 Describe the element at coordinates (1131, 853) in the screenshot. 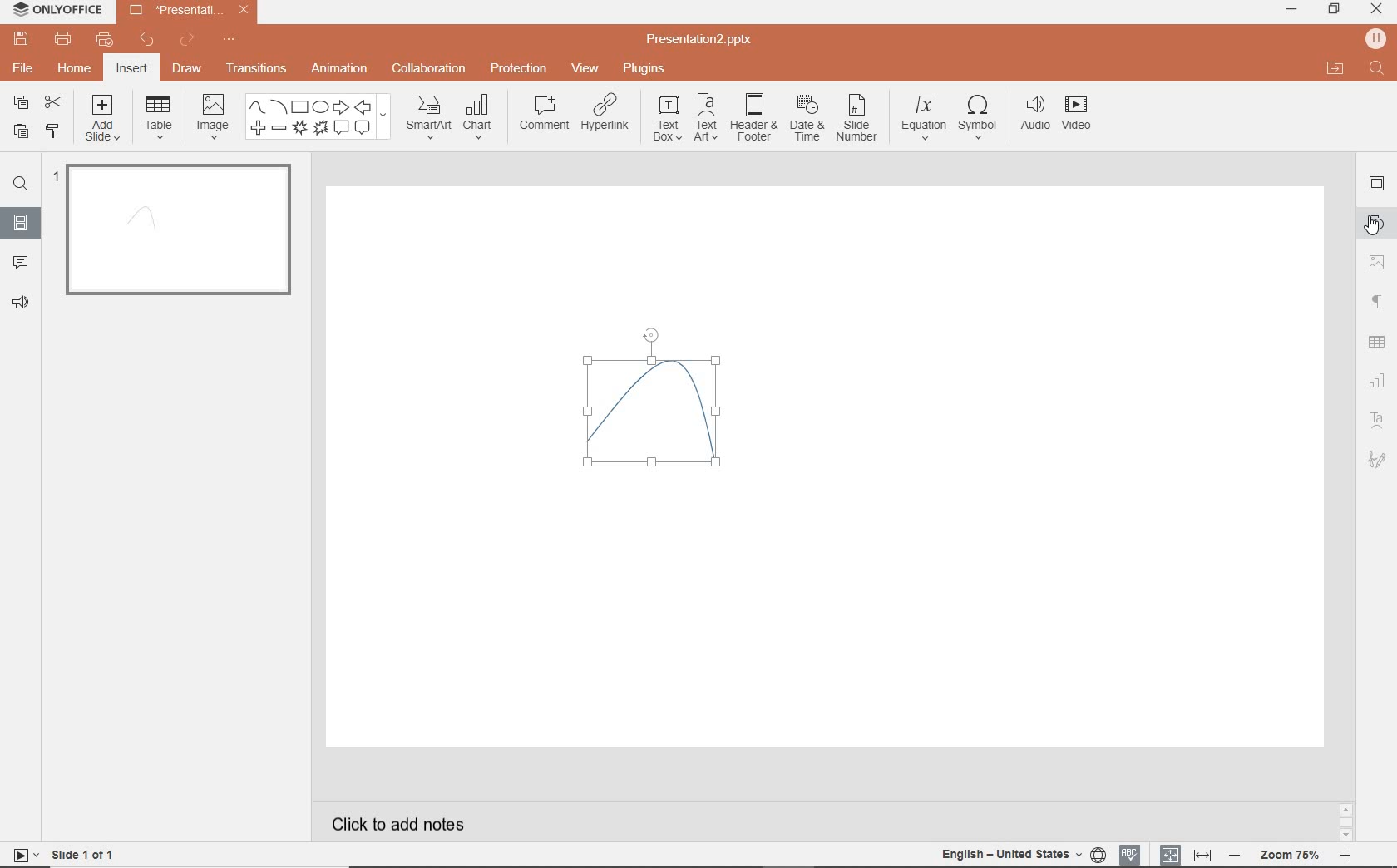

I see `SPELL CHECKING` at that location.